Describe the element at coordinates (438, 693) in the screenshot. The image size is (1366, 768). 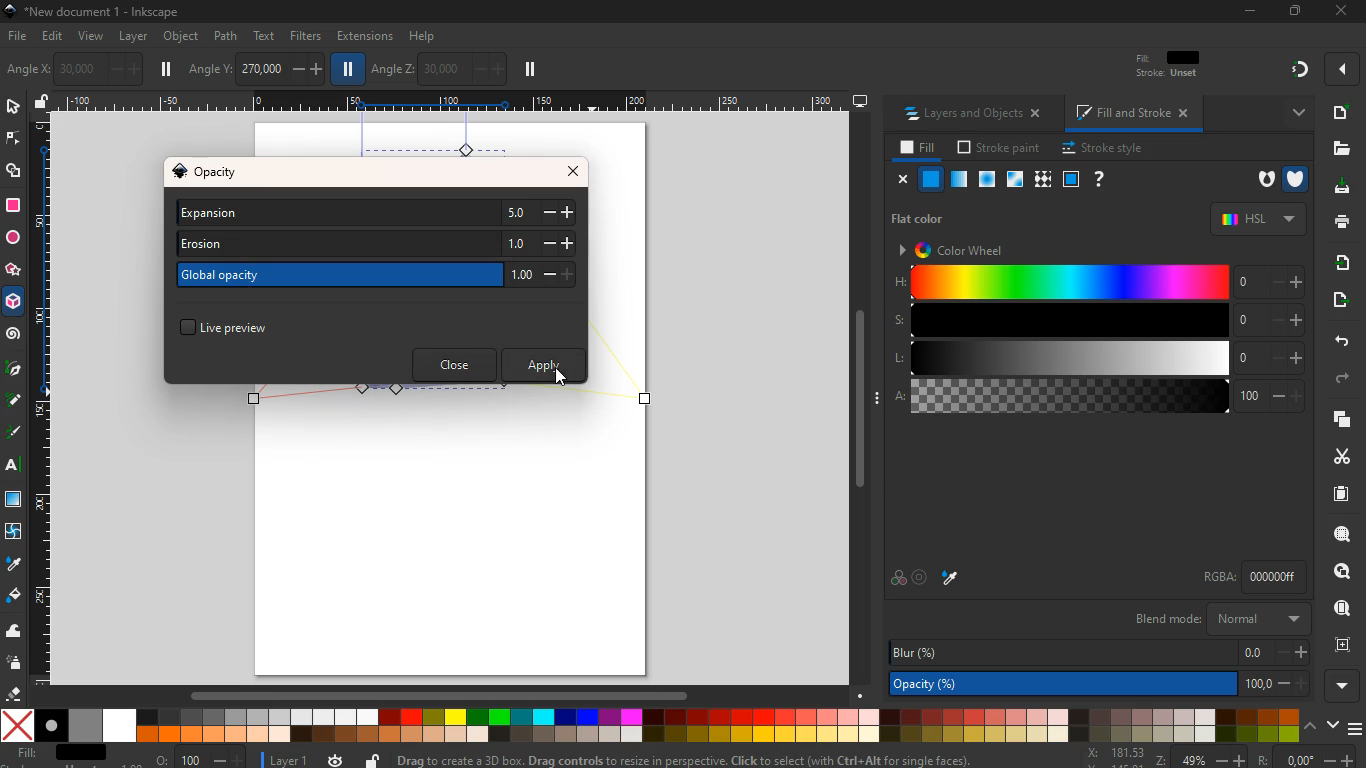
I see `Scrollbar` at that location.